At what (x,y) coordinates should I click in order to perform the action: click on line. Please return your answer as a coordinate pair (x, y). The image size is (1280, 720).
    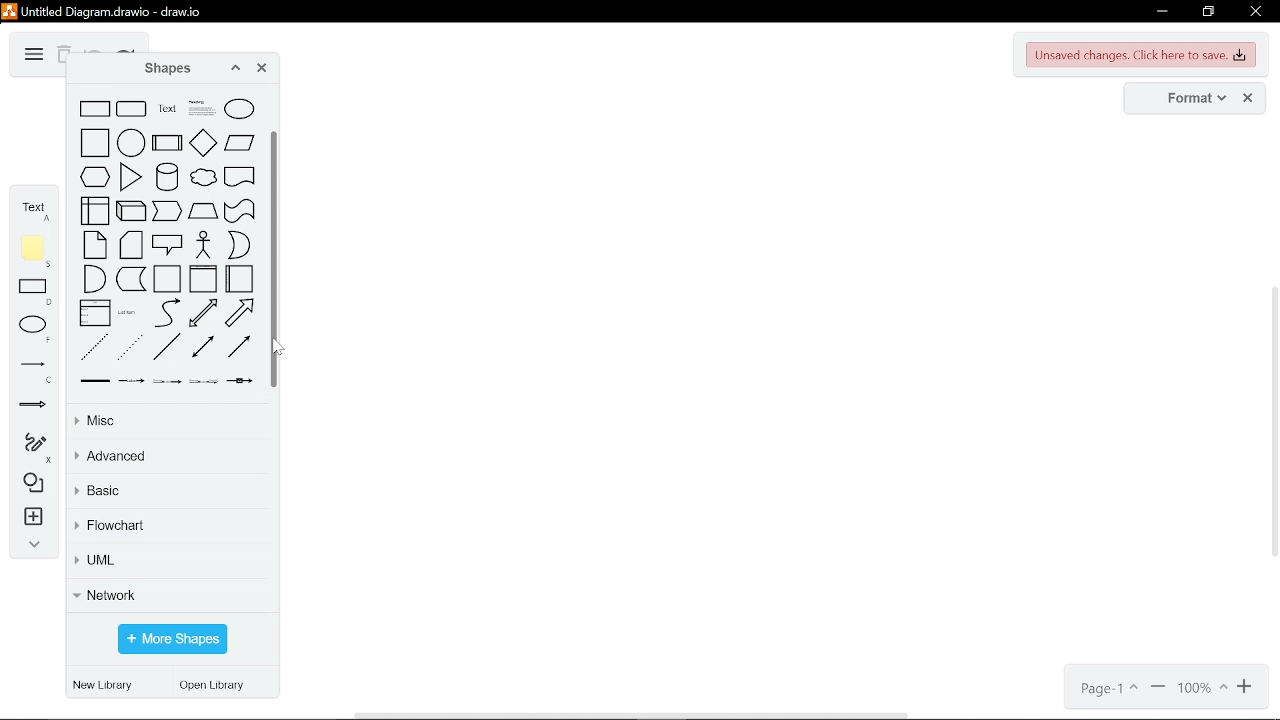
    Looking at the image, I should click on (165, 347).